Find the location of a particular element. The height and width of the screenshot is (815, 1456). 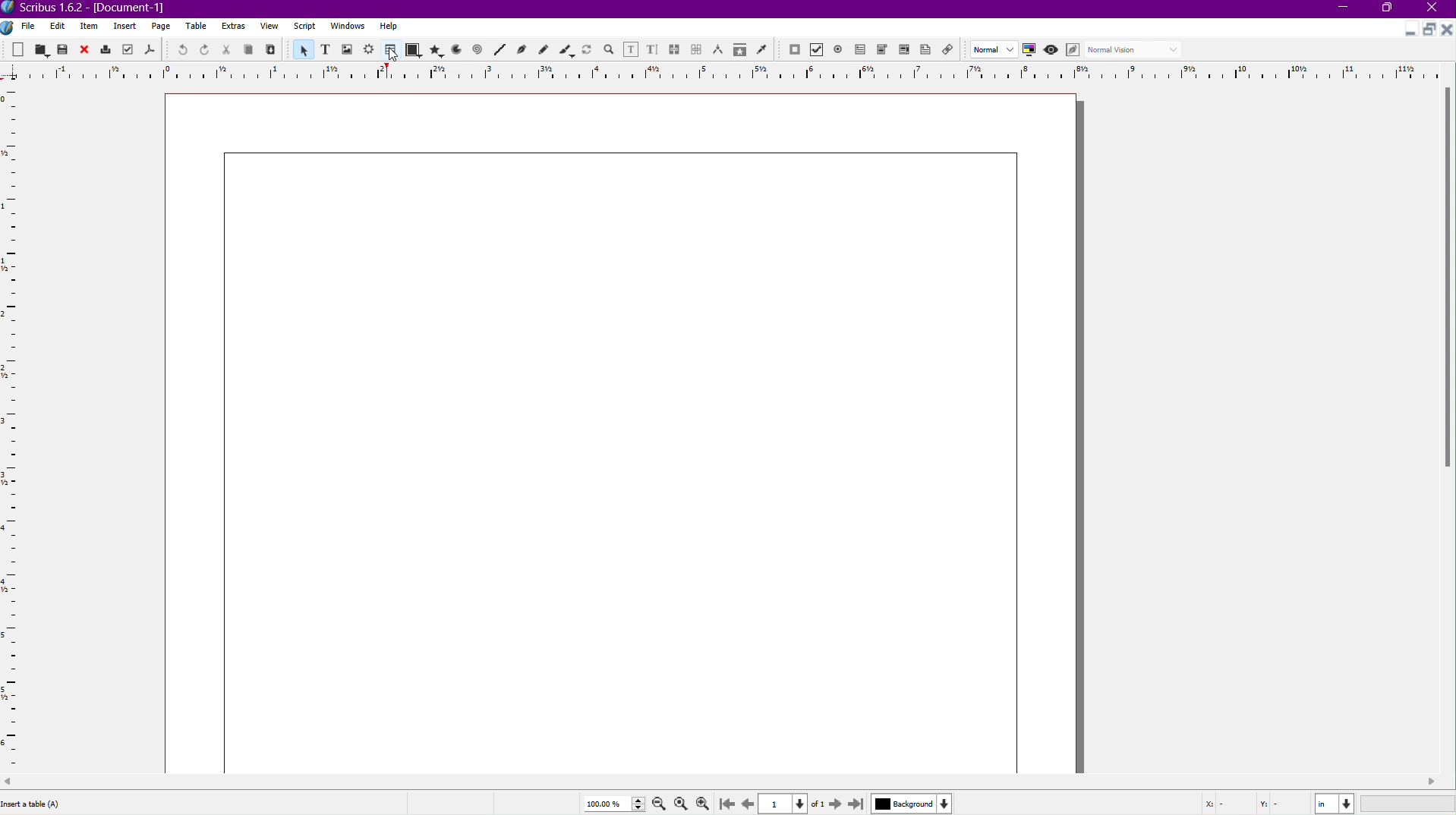

Script is located at coordinates (304, 27).